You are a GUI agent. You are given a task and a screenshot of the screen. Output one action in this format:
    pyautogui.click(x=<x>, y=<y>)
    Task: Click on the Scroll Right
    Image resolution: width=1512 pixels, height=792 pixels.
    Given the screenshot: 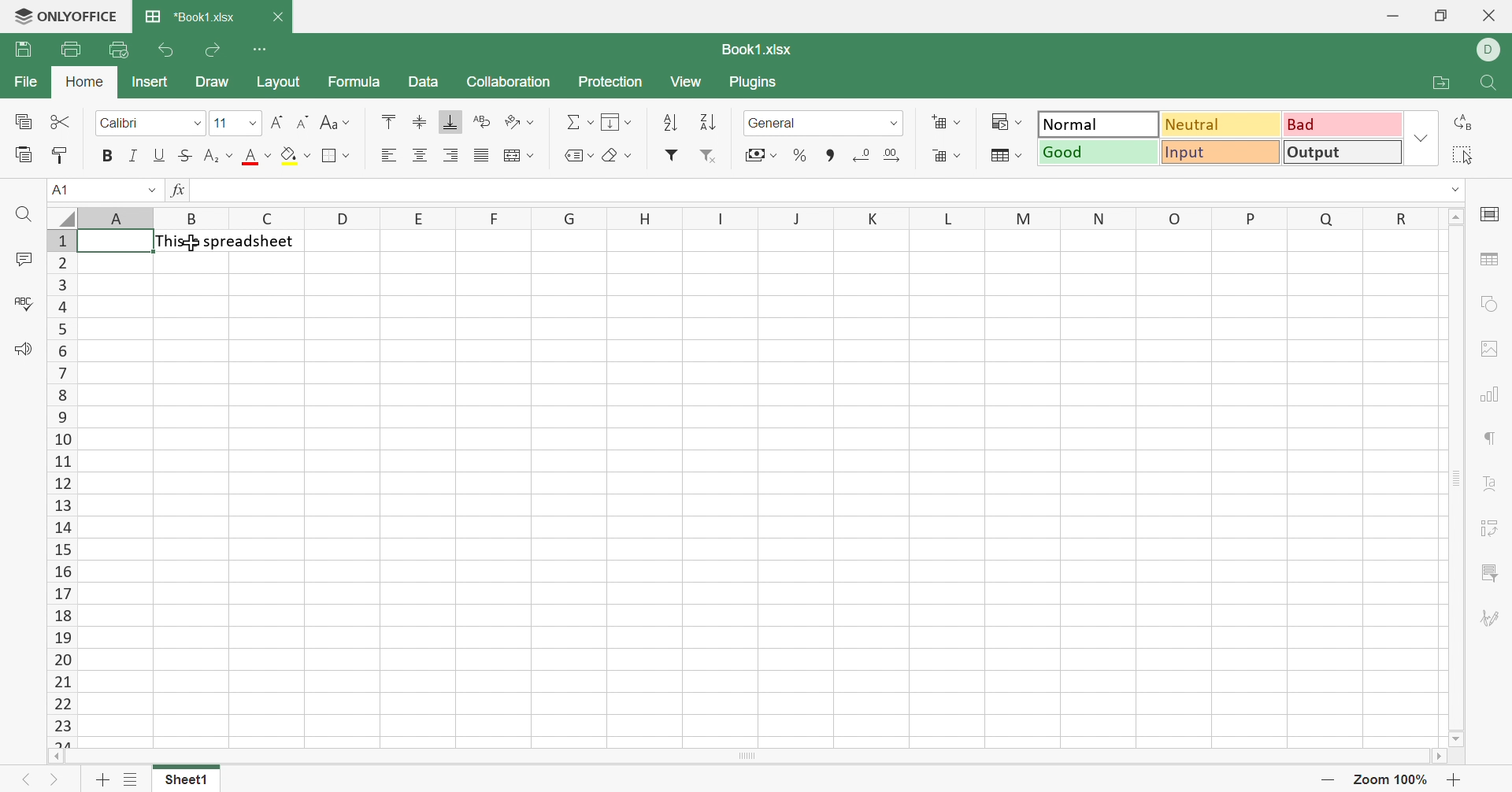 What is the action you would take?
    pyautogui.click(x=1440, y=756)
    